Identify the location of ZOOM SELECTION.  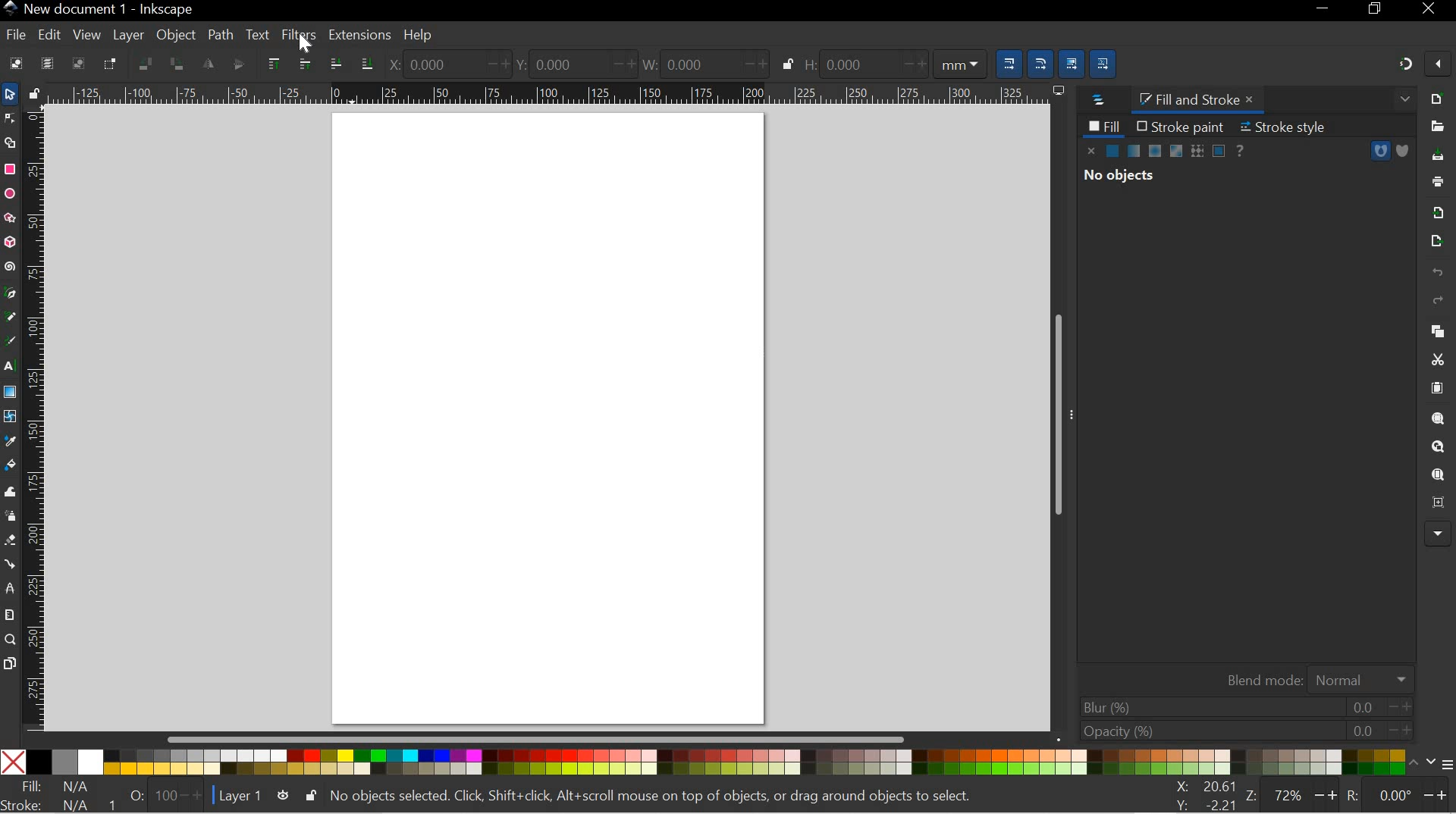
(1439, 418).